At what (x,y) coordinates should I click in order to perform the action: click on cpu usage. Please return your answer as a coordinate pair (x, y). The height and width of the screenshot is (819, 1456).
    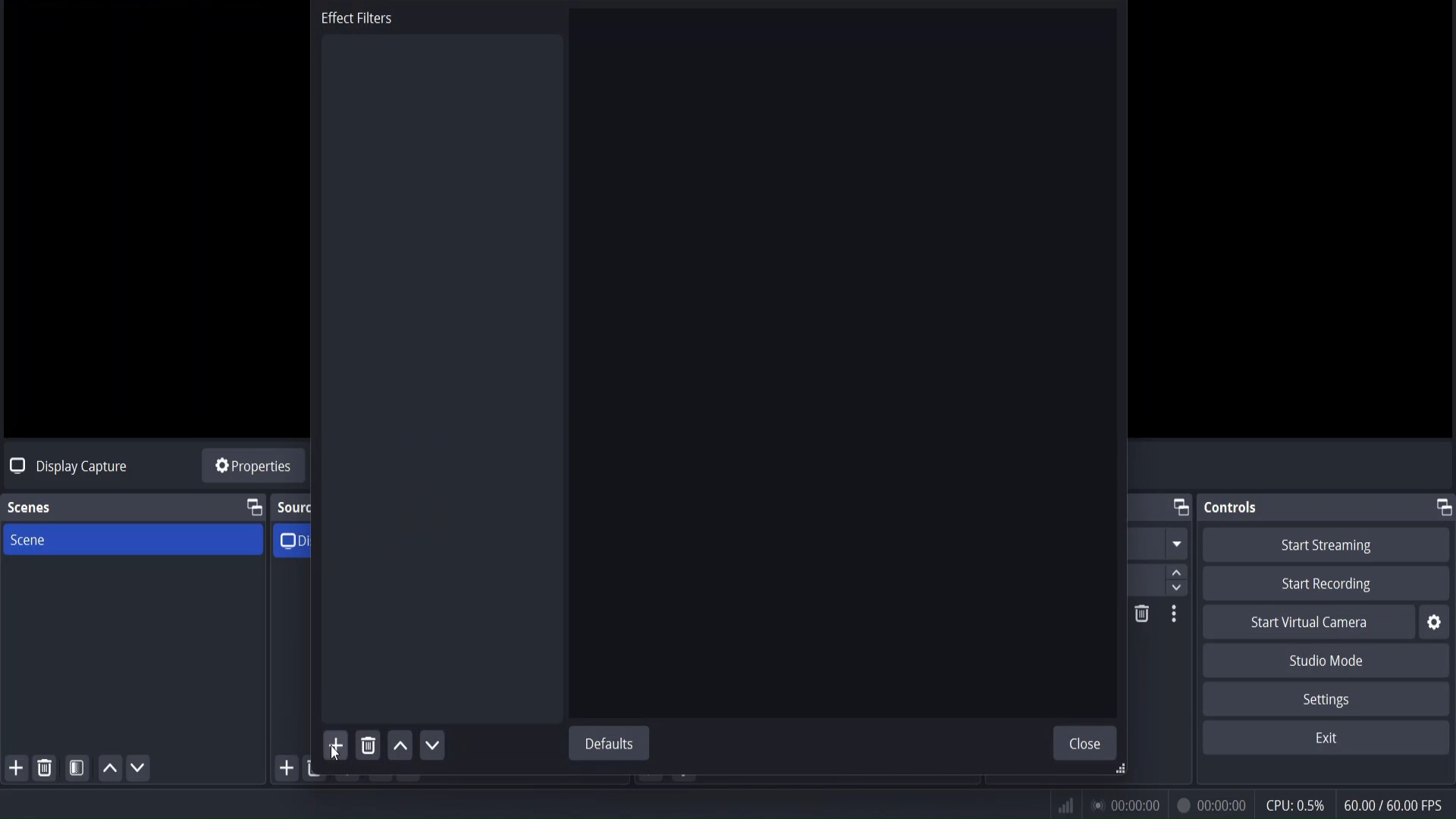
    Looking at the image, I should click on (1294, 805).